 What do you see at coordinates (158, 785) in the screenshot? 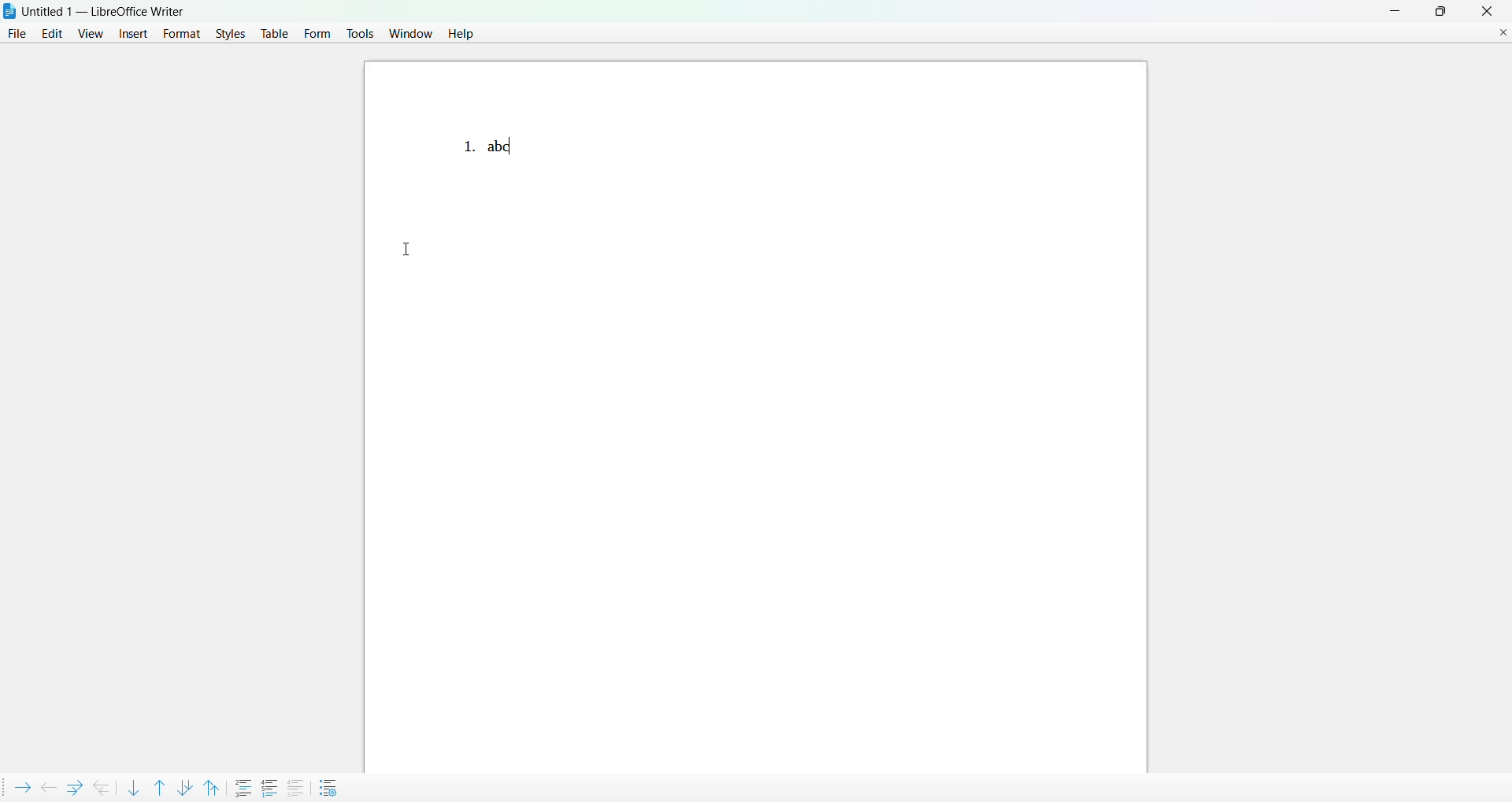
I see `move item up` at bounding box center [158, 785].